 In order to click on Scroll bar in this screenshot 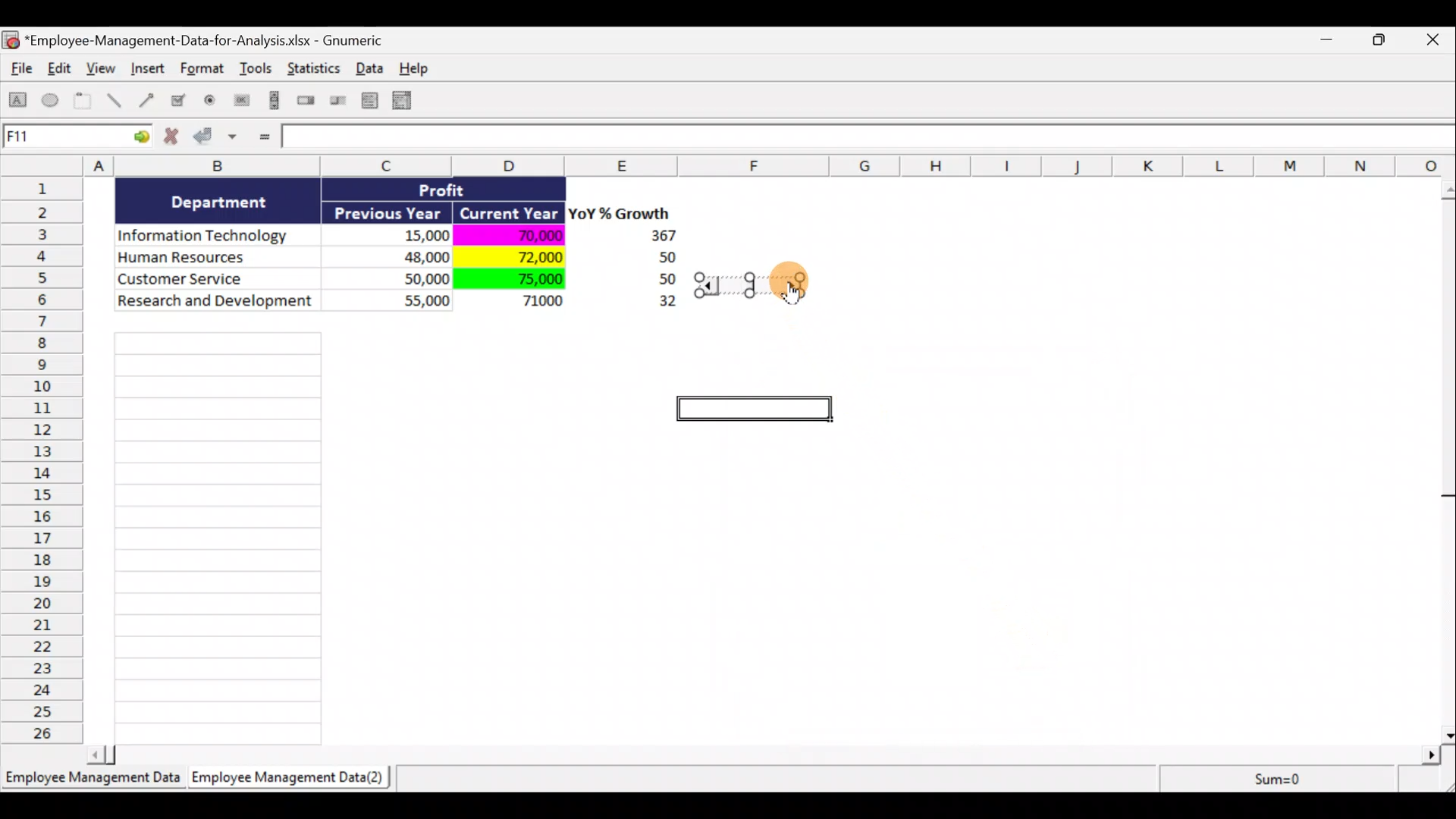, I will do `click(1446, 458)`.